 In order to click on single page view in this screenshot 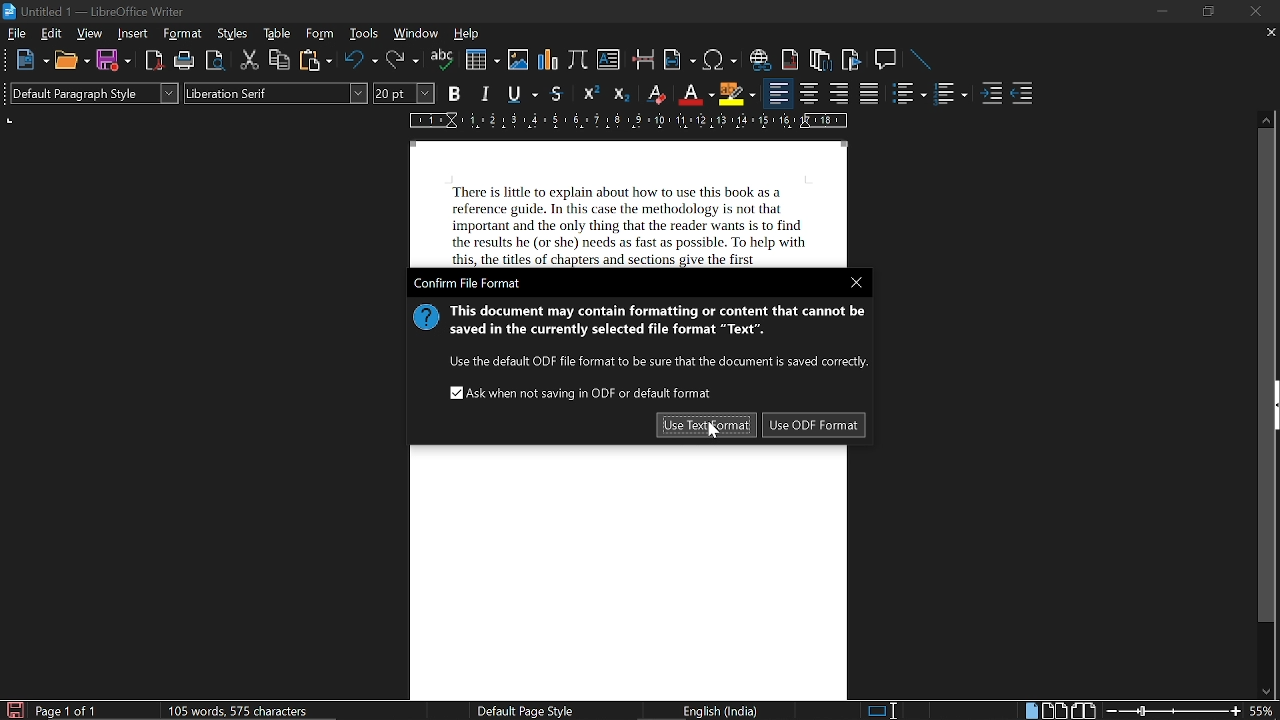, I will do `click(1030, 710)`.